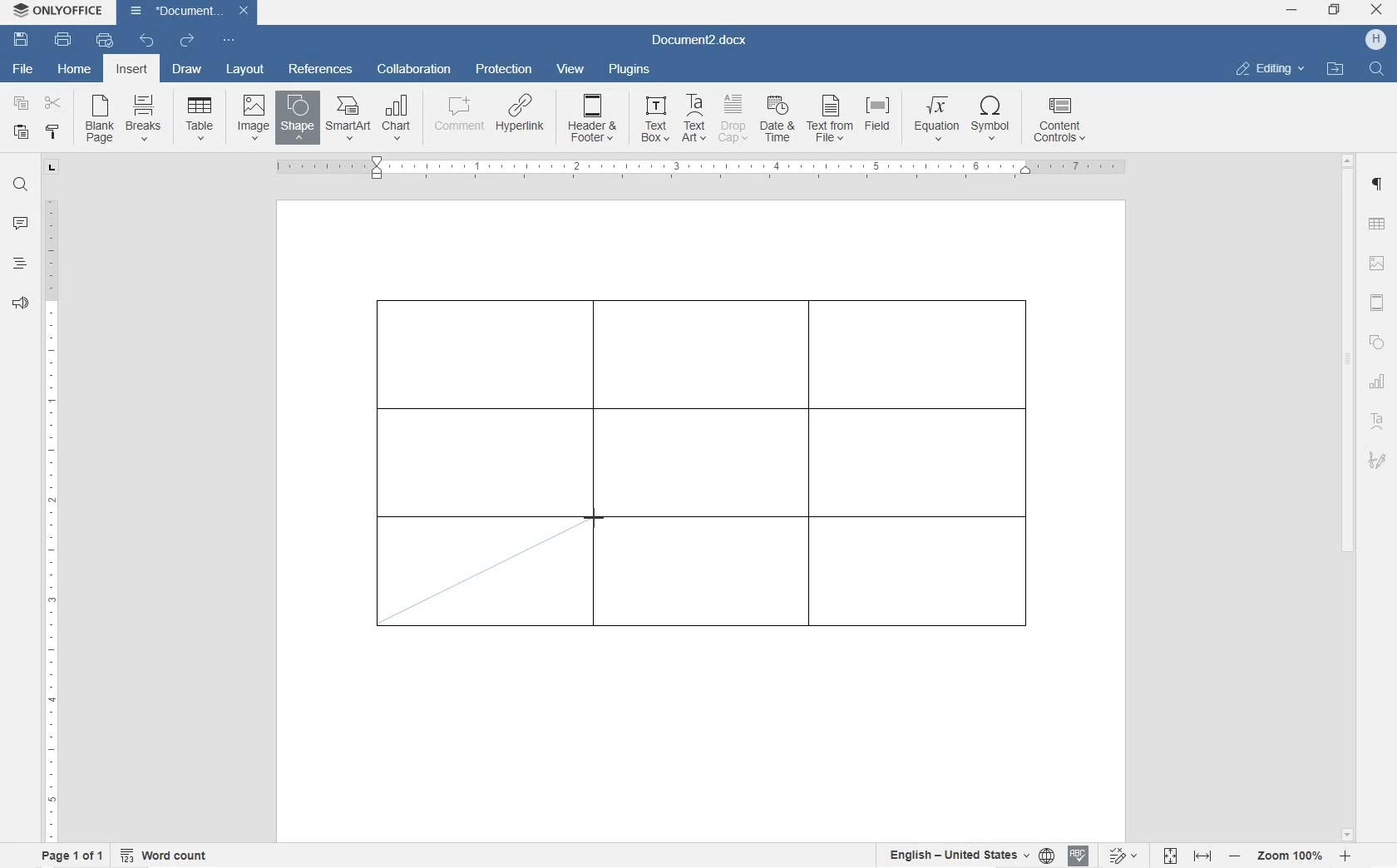  Describe the element at coordinates (1375, 40) in the screenshot. I see `HP` at that location.